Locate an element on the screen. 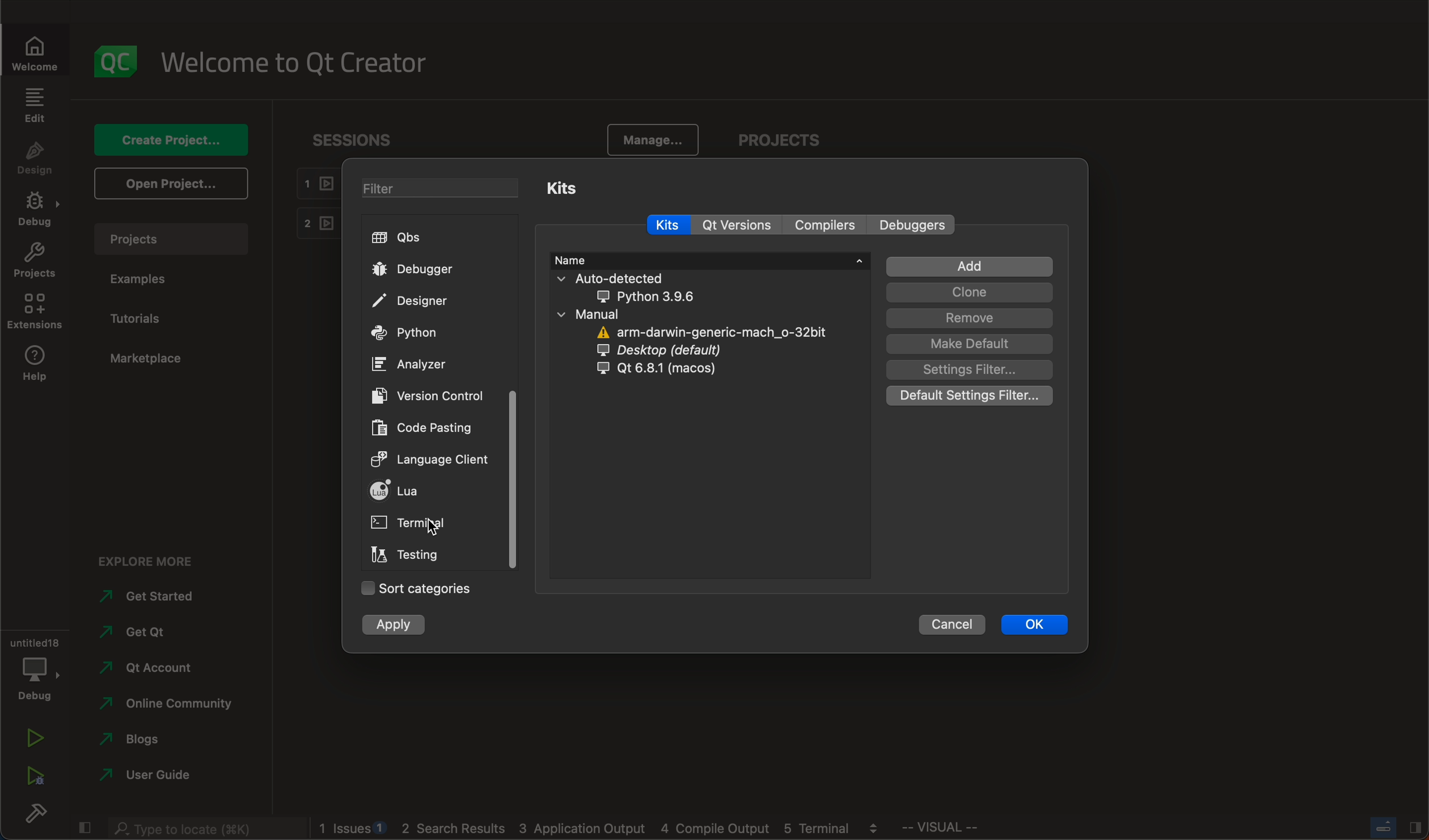 The image size is (1429, 840). marketplace is located at coordinates (152, 360).